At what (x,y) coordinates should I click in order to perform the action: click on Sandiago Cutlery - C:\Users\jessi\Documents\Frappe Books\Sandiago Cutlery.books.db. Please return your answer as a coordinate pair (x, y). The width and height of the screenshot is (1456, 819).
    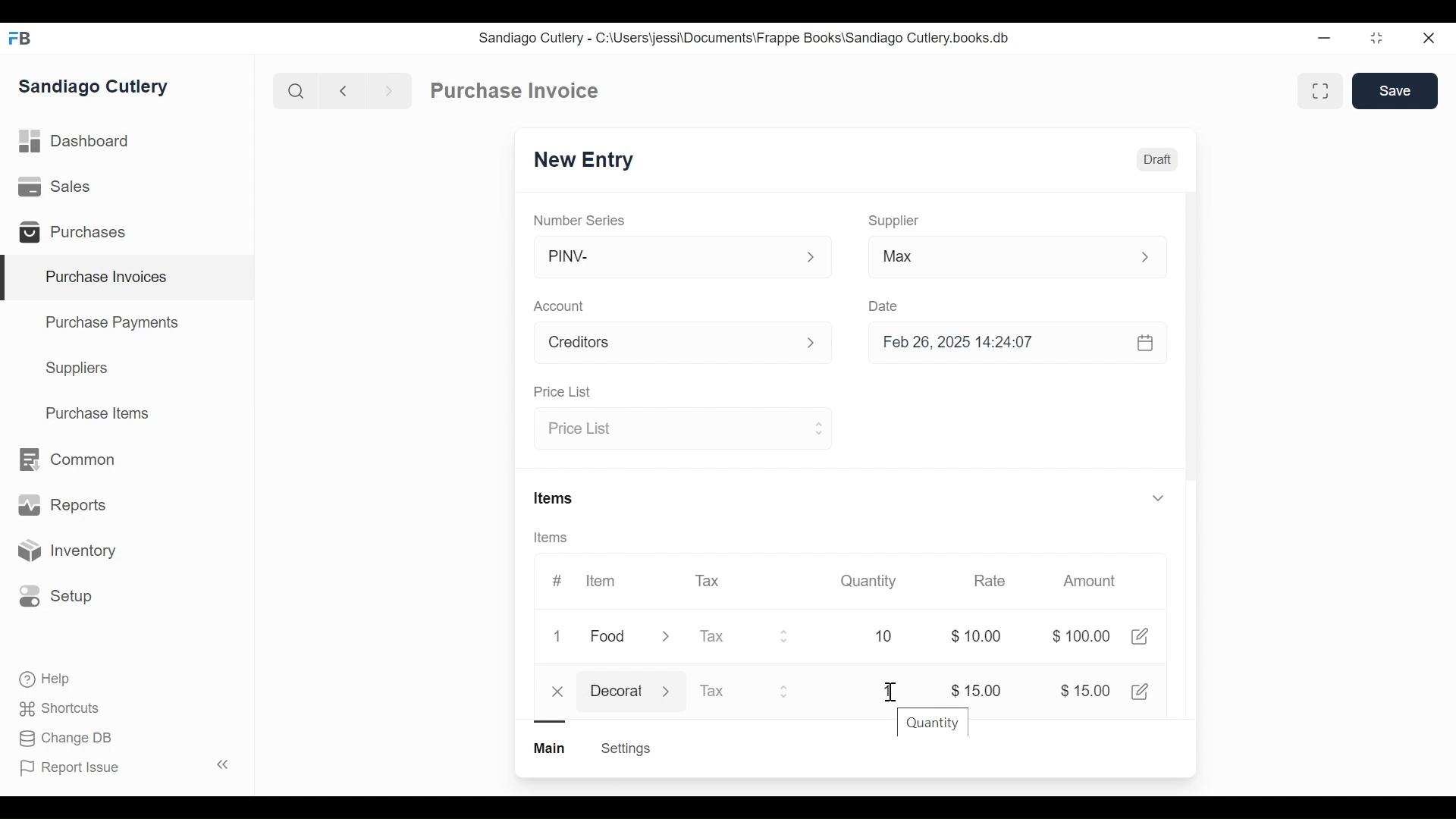
    Looking at the image, I should click on (745, 38).